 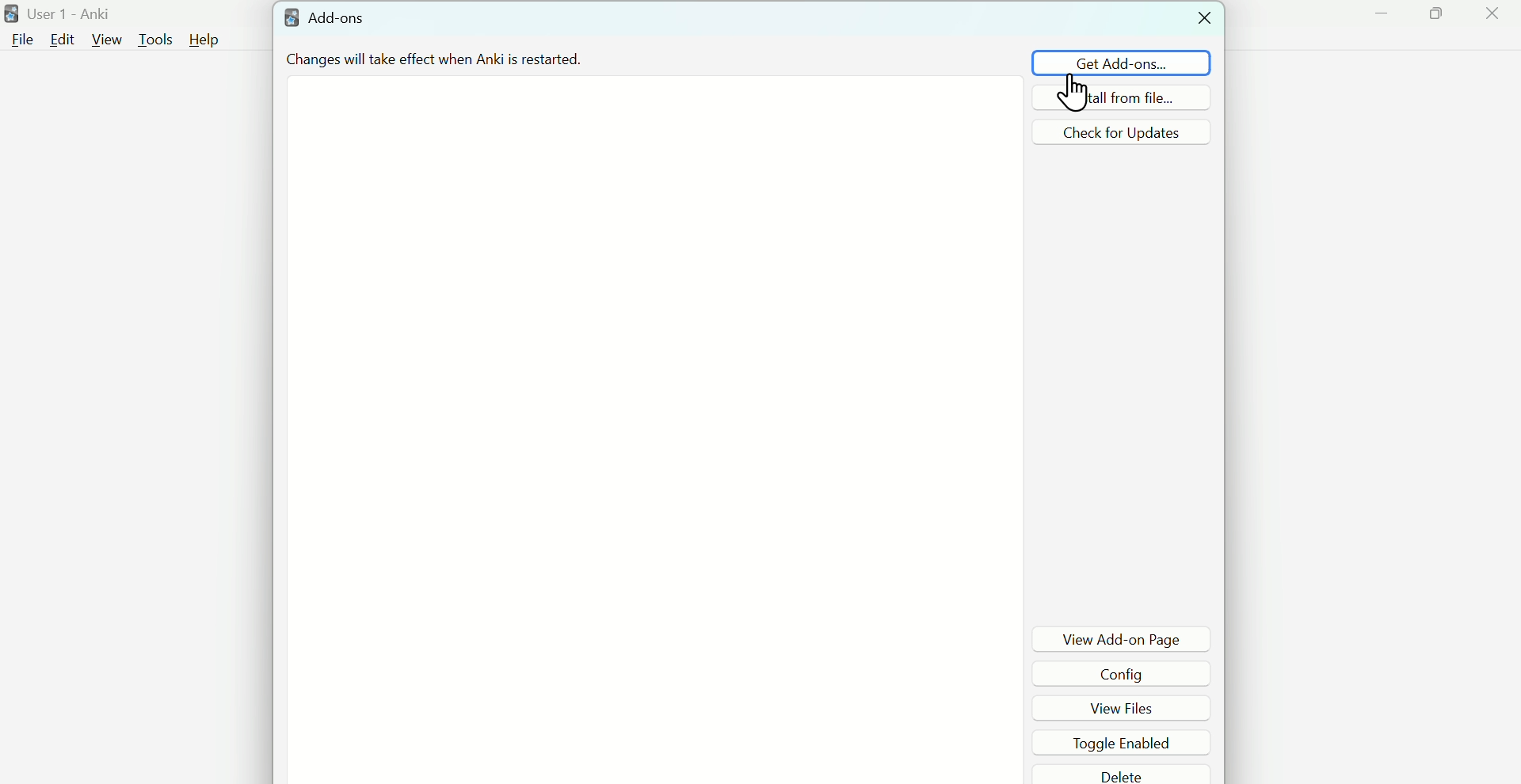 I want to click on View files, so click(x=1129, y=706).